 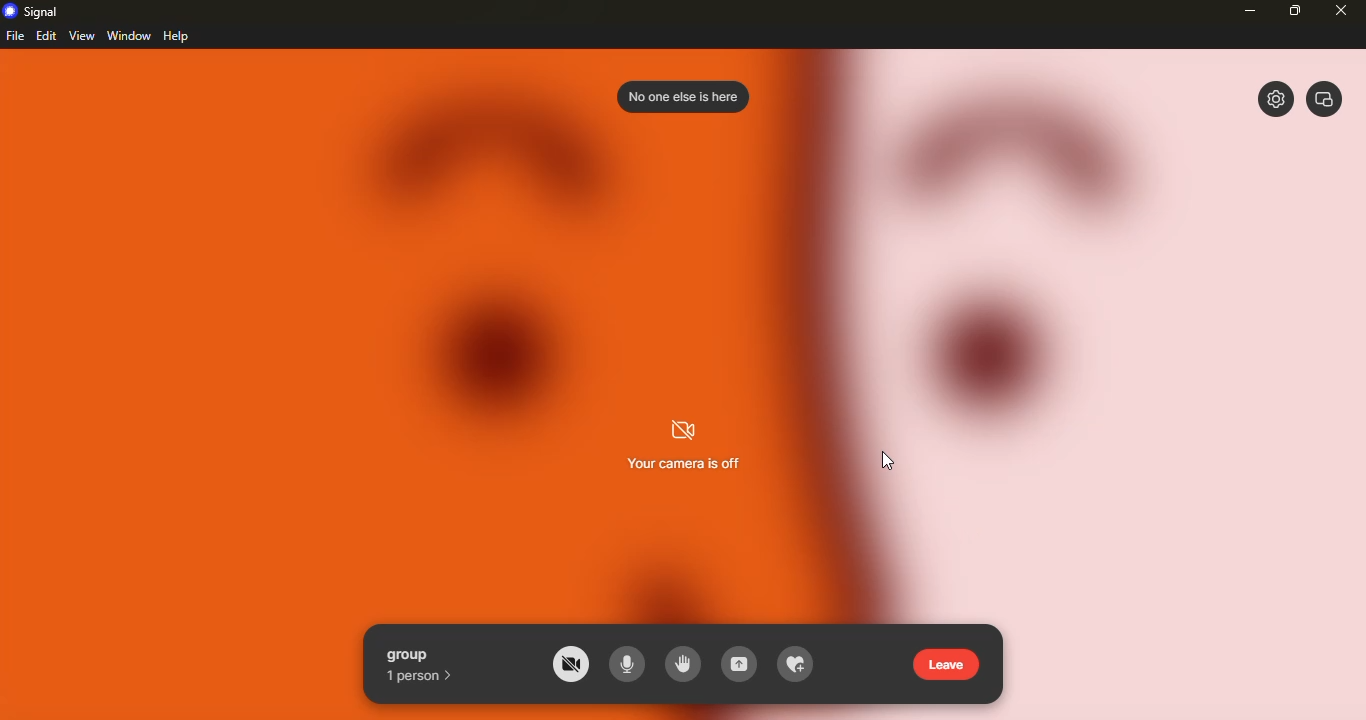 What do you see at coordinates (1270, 100) in the screenshot?
I see `settings` at bounding box center [1270, 100].